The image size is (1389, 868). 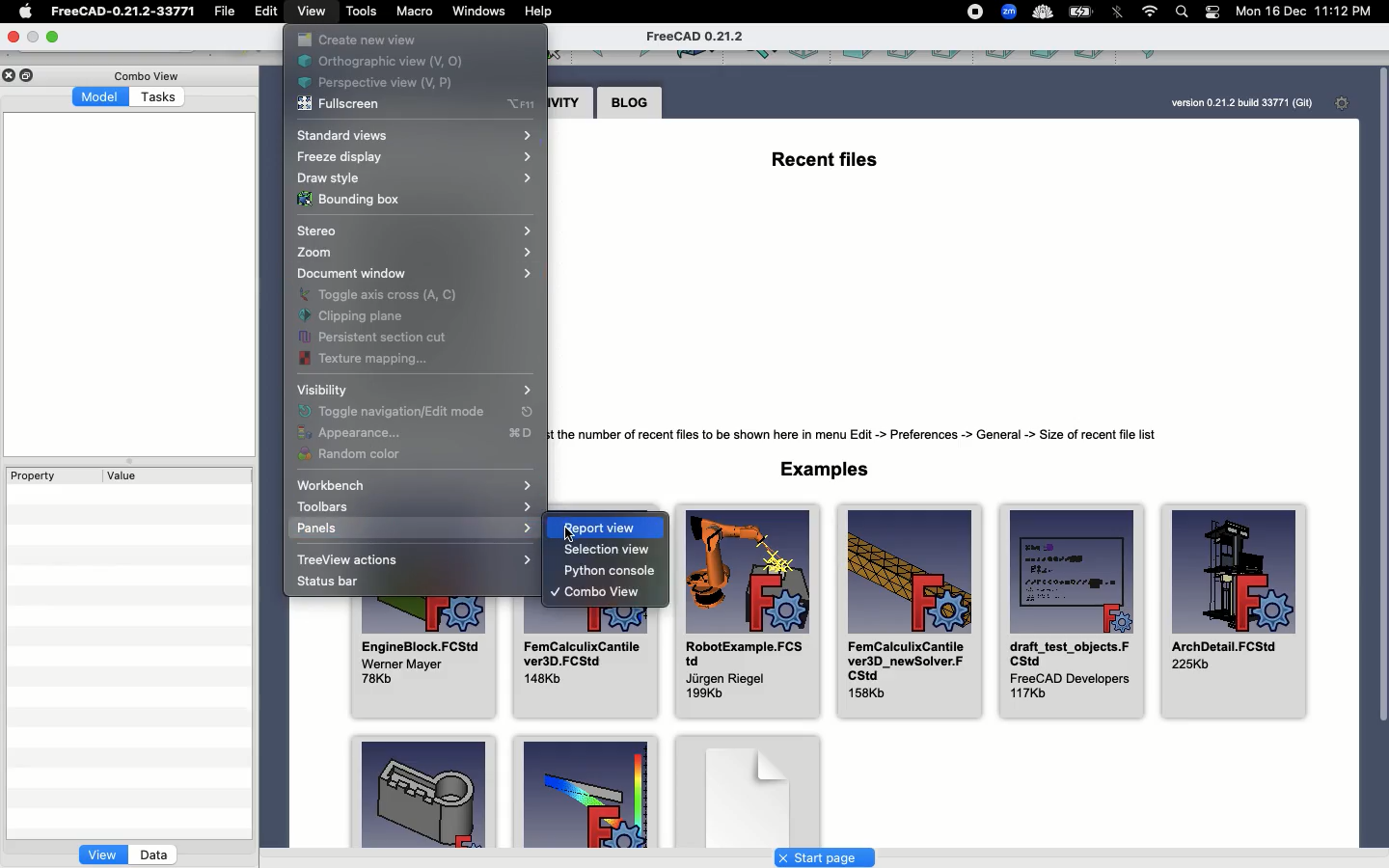 I want to click on Notification , so click(x=1213, y=15).